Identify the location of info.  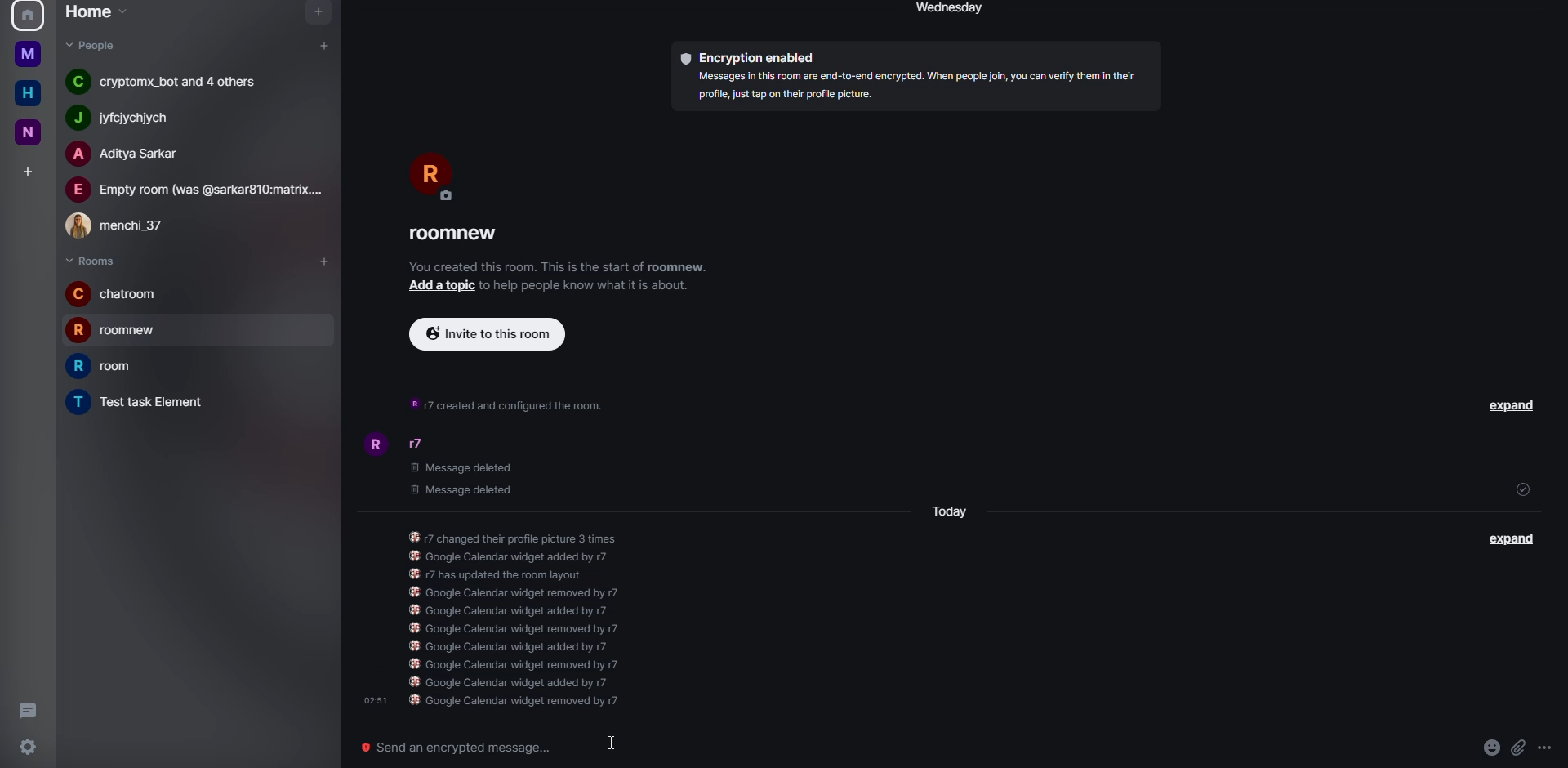
(510, 402).